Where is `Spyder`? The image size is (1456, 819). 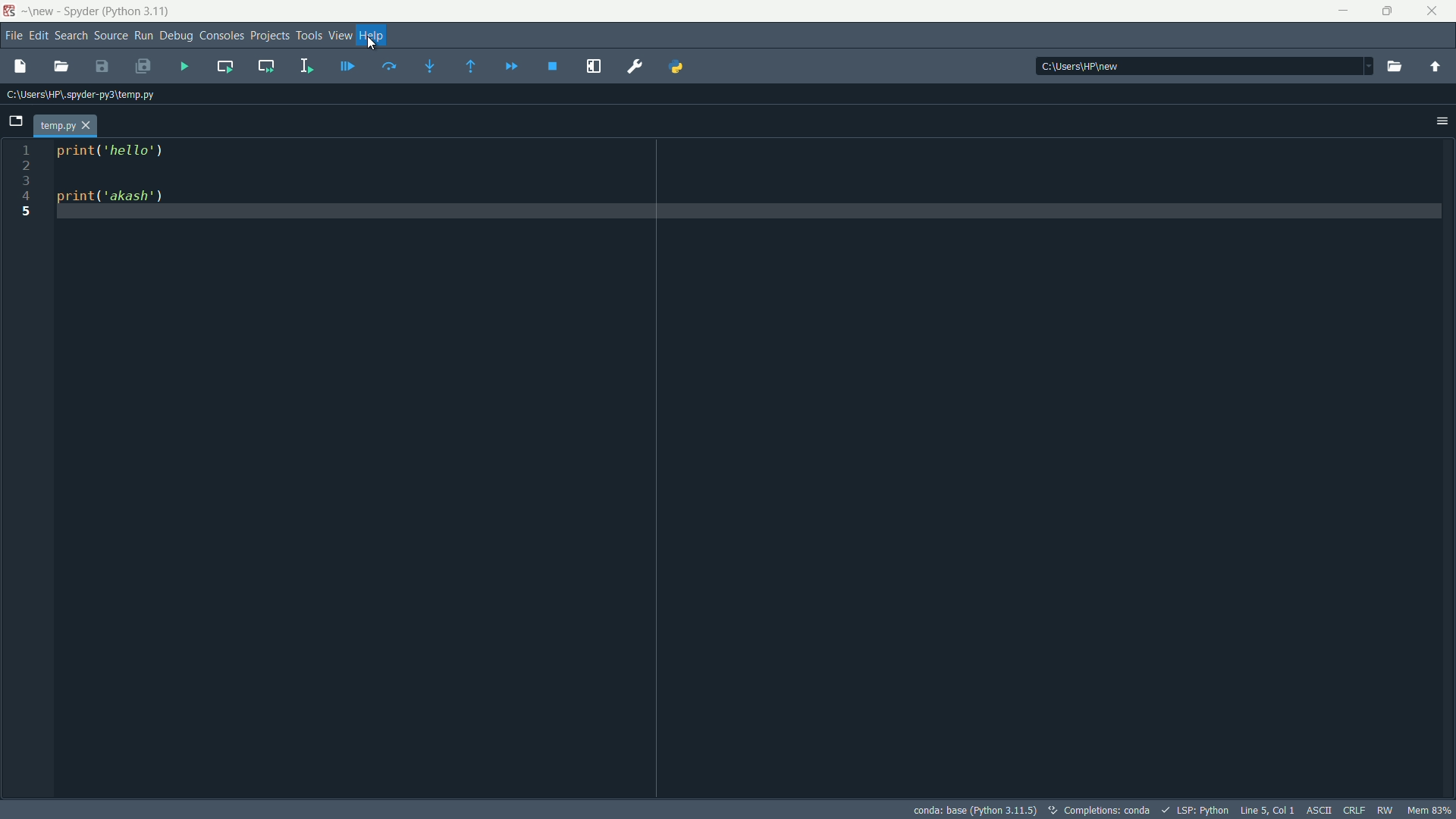 Spyder is located at coordinates (80, 11).